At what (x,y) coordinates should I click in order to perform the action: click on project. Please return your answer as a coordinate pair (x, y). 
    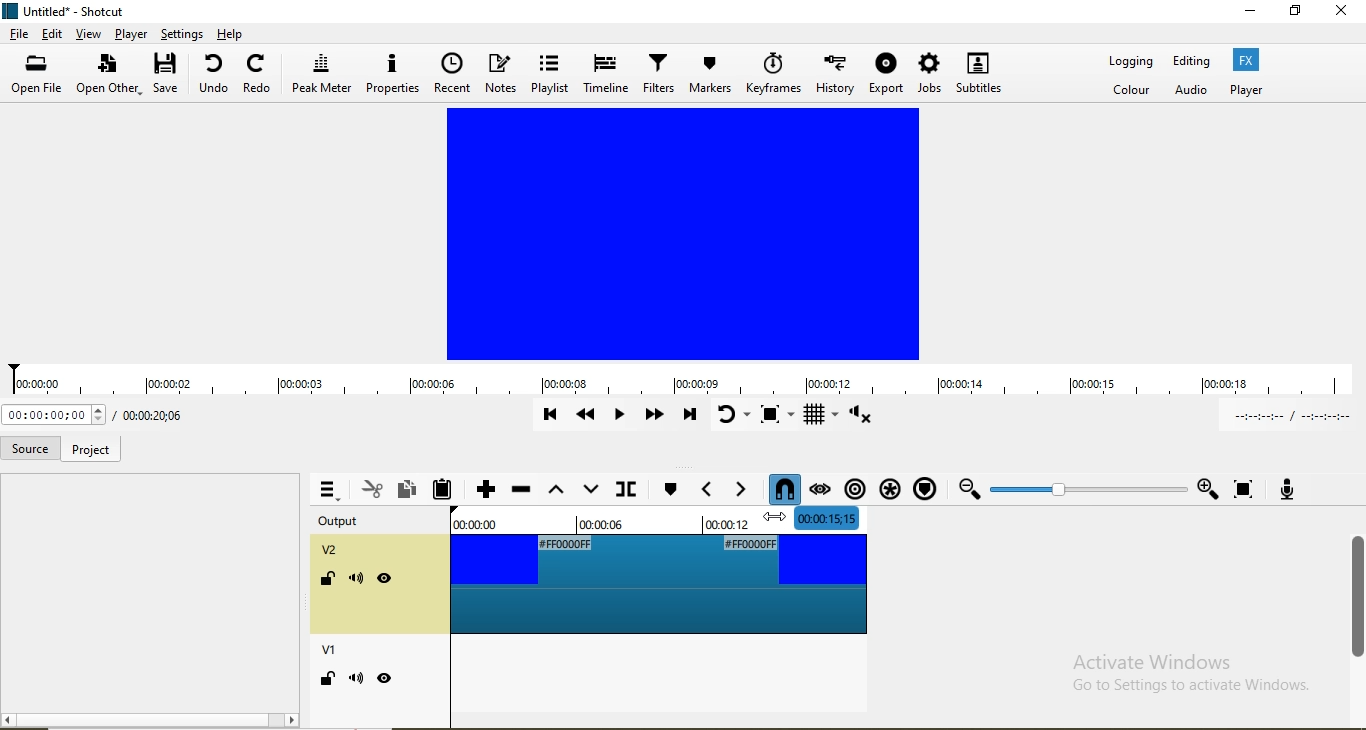
    Looking at the image, I should click on (89, 451).